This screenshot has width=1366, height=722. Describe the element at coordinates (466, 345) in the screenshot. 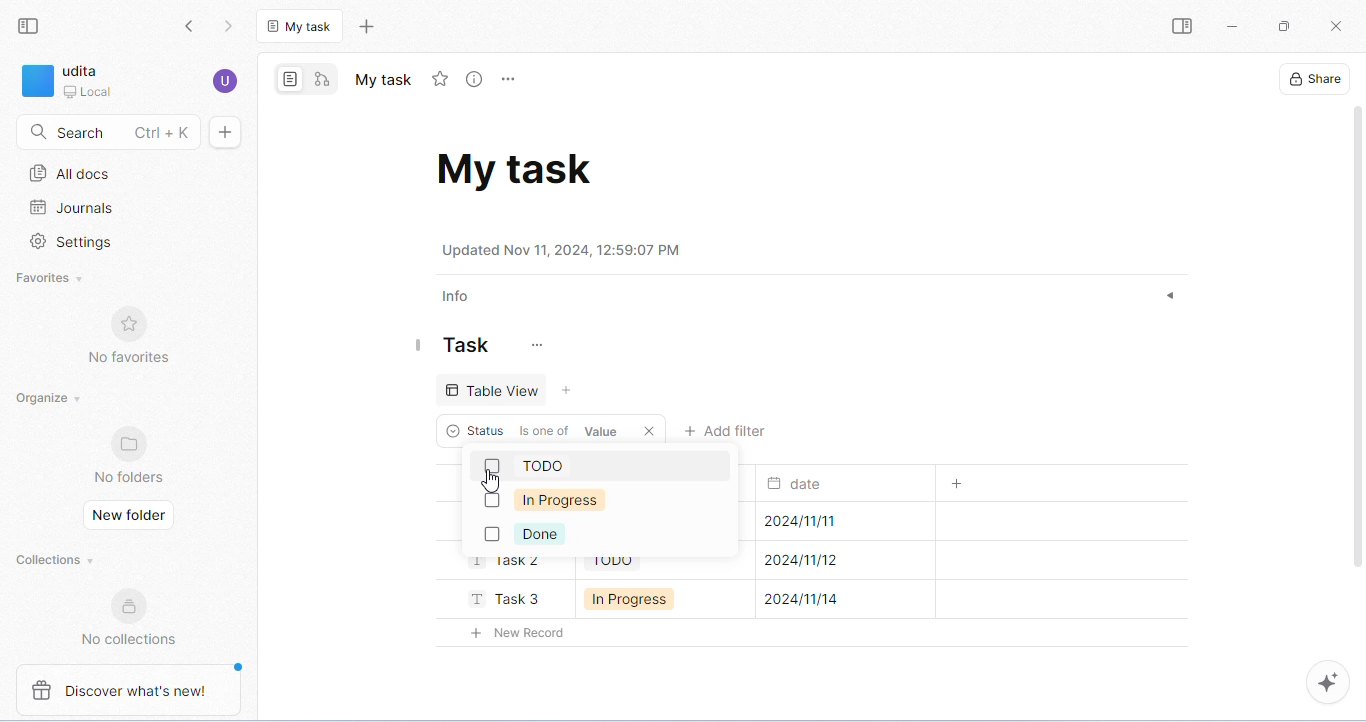

I see `task` at that location.